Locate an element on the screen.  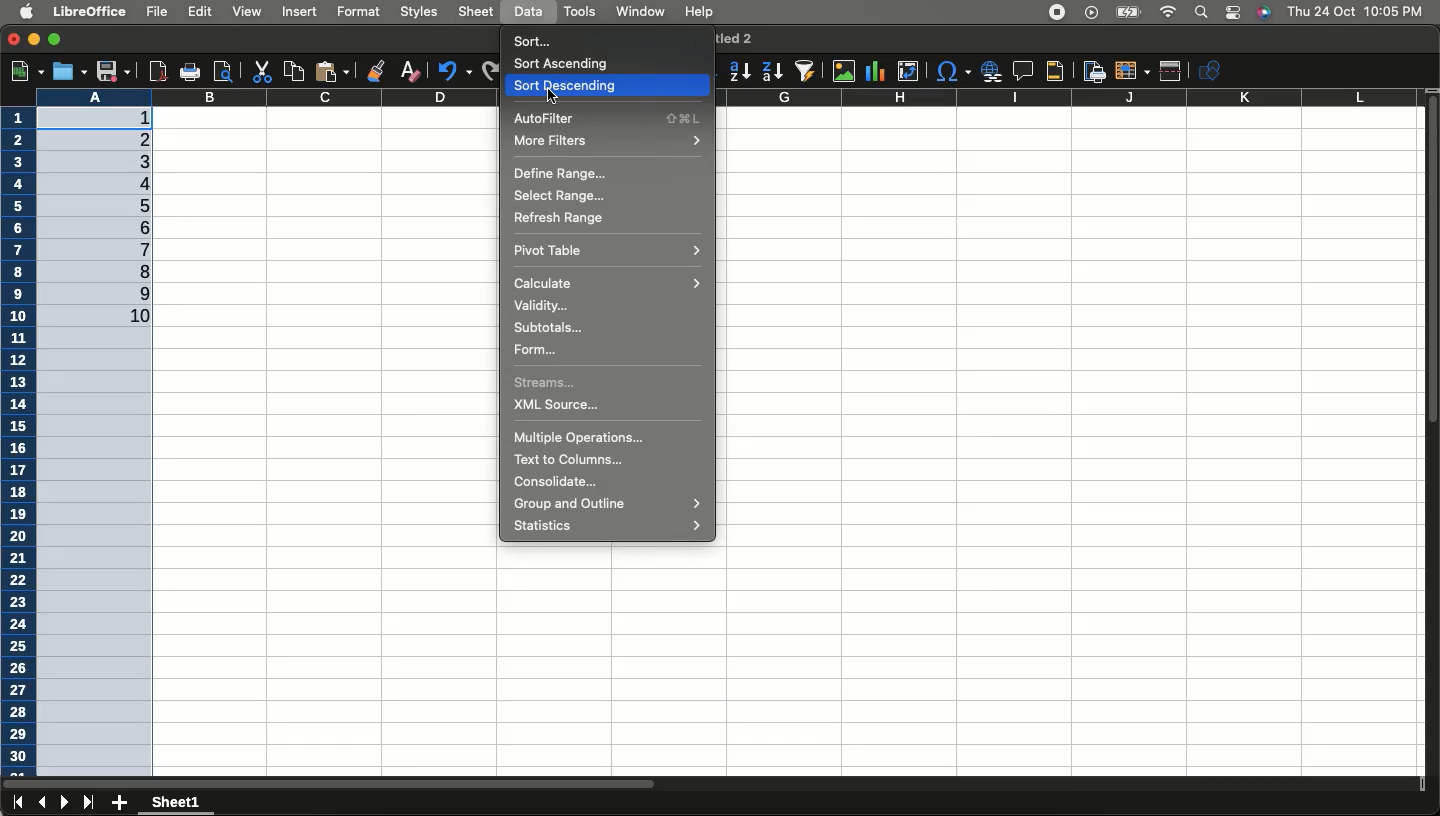
Minimize is located at coordinates (35, 41).